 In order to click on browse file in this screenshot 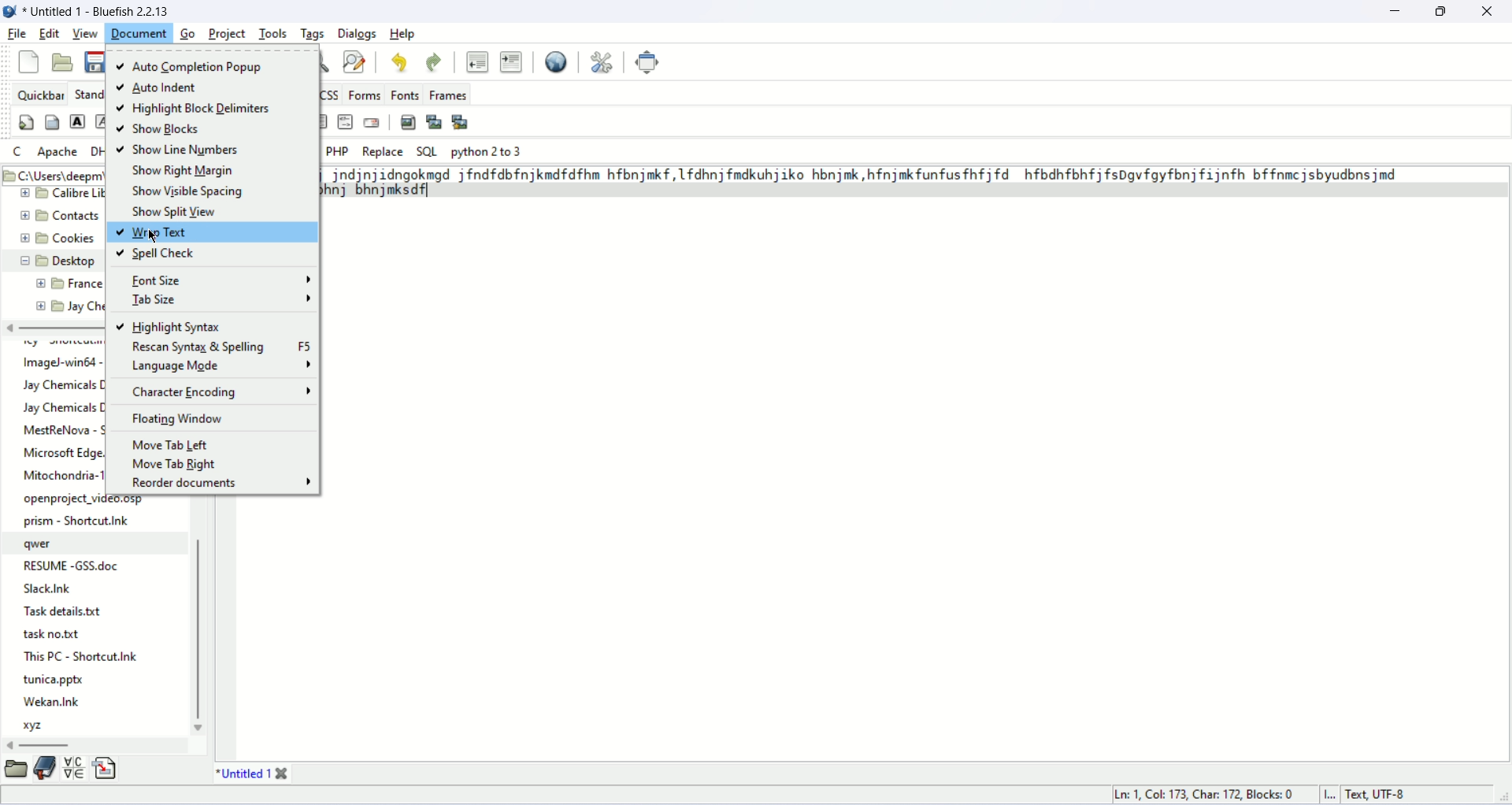, I will do `click(19, 770)`.